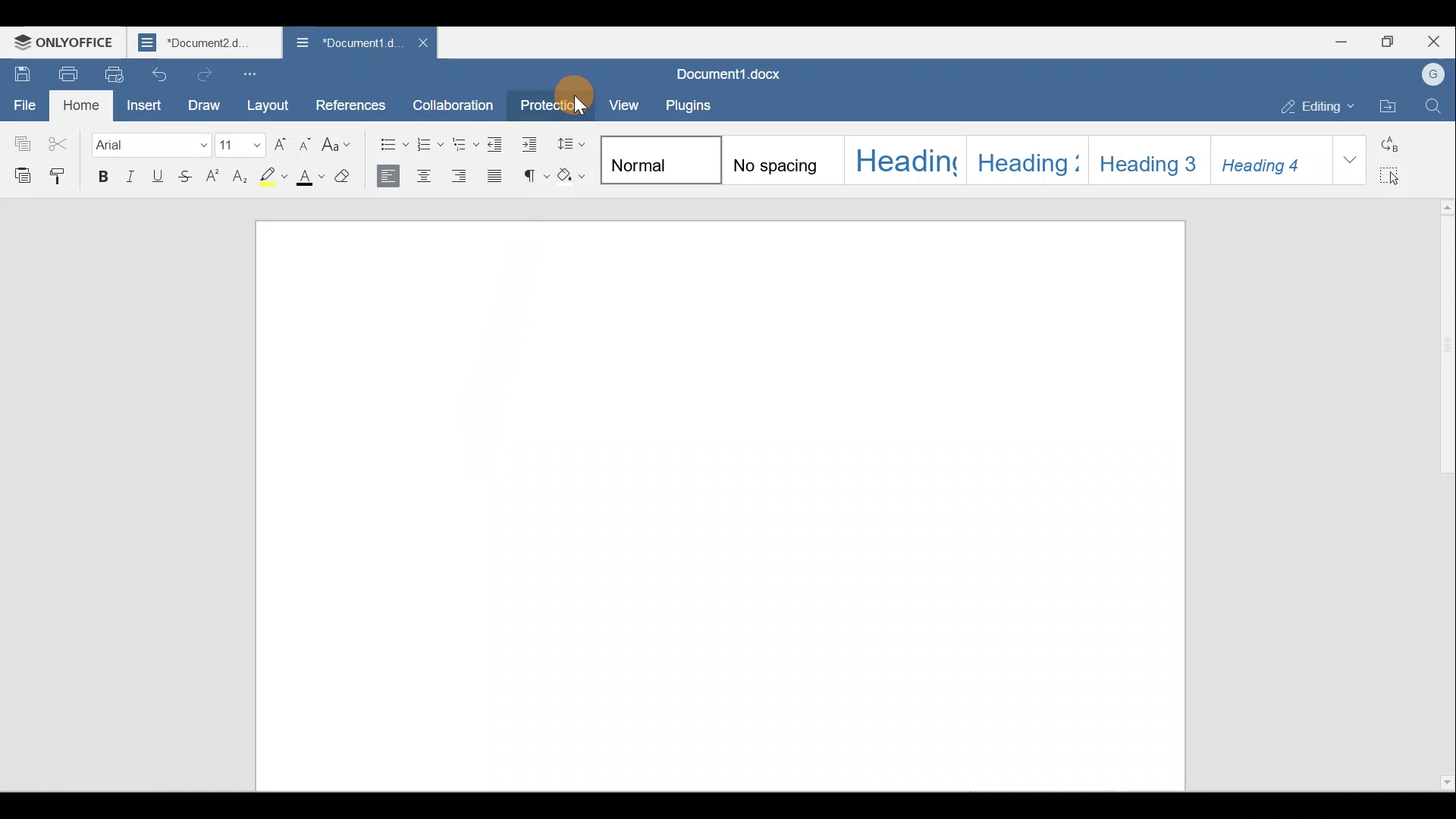 This screenshot has width=1456, height=819. What do you see at coordinates (217, 177) in the screenshot?
I see `Superscript` at bounding box center [217, 177].